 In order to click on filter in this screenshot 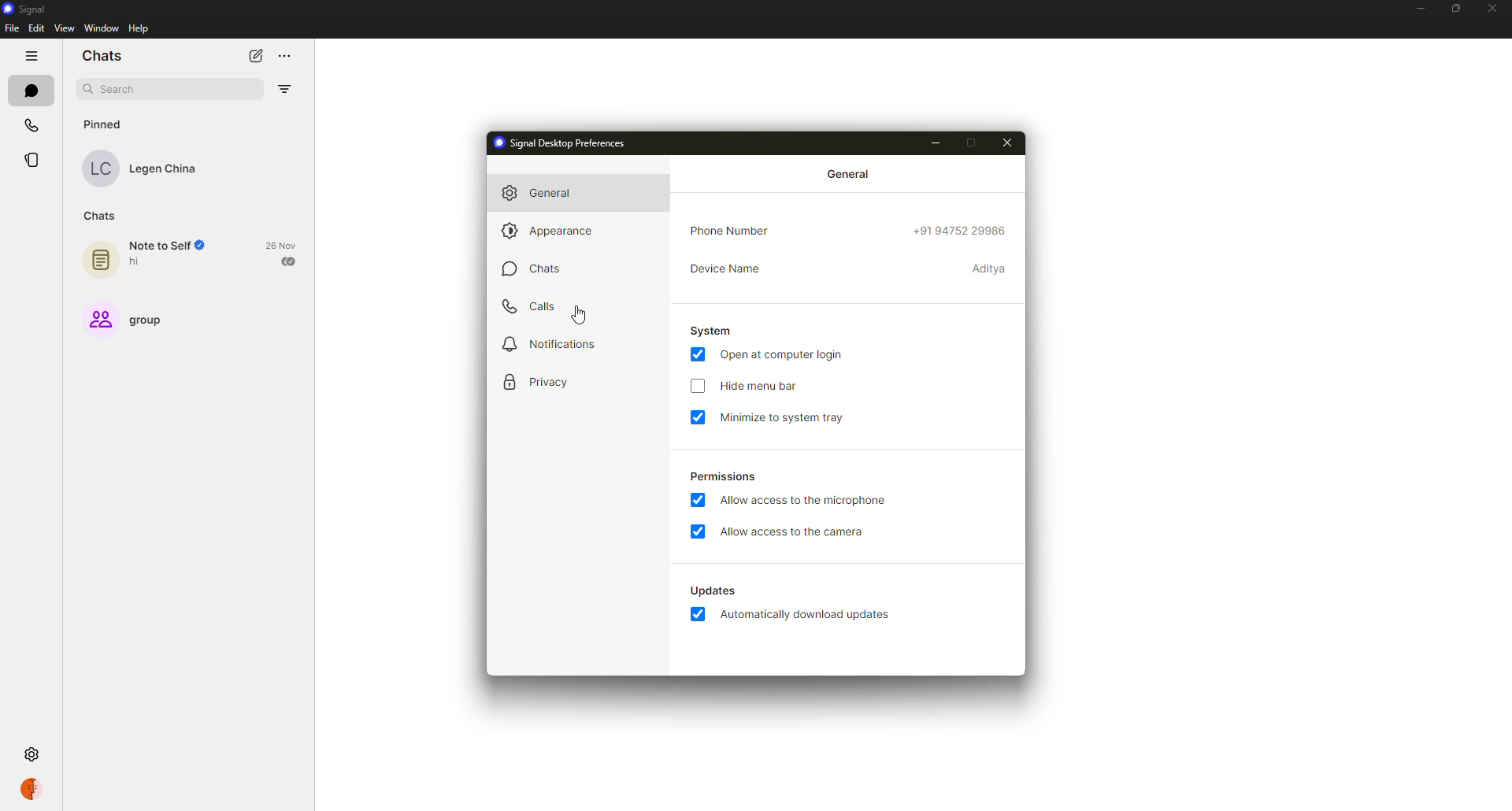, I will do `click(284, 91)`.